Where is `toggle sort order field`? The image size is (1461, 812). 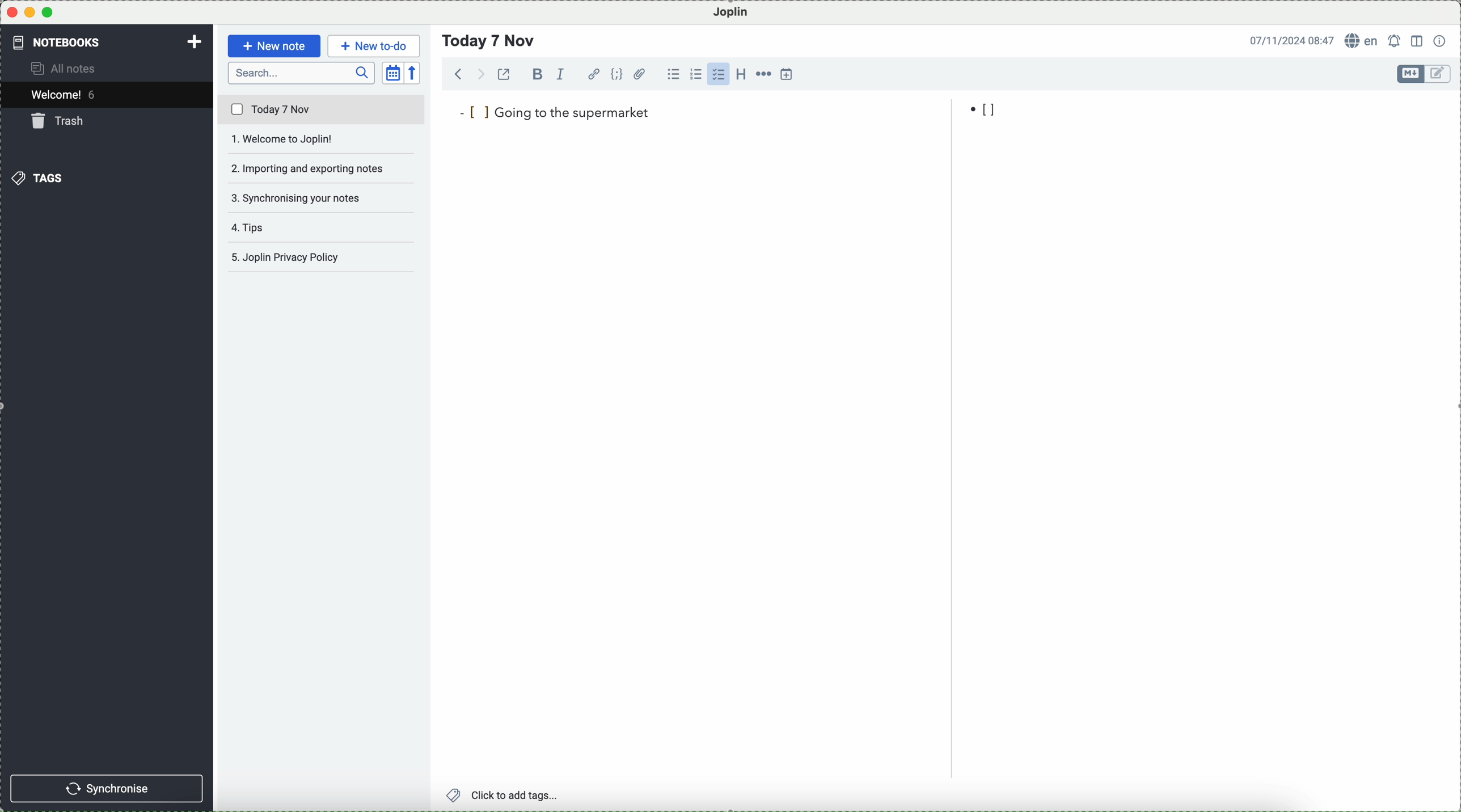 toggle sort order field is located at coordinates (393, 73).